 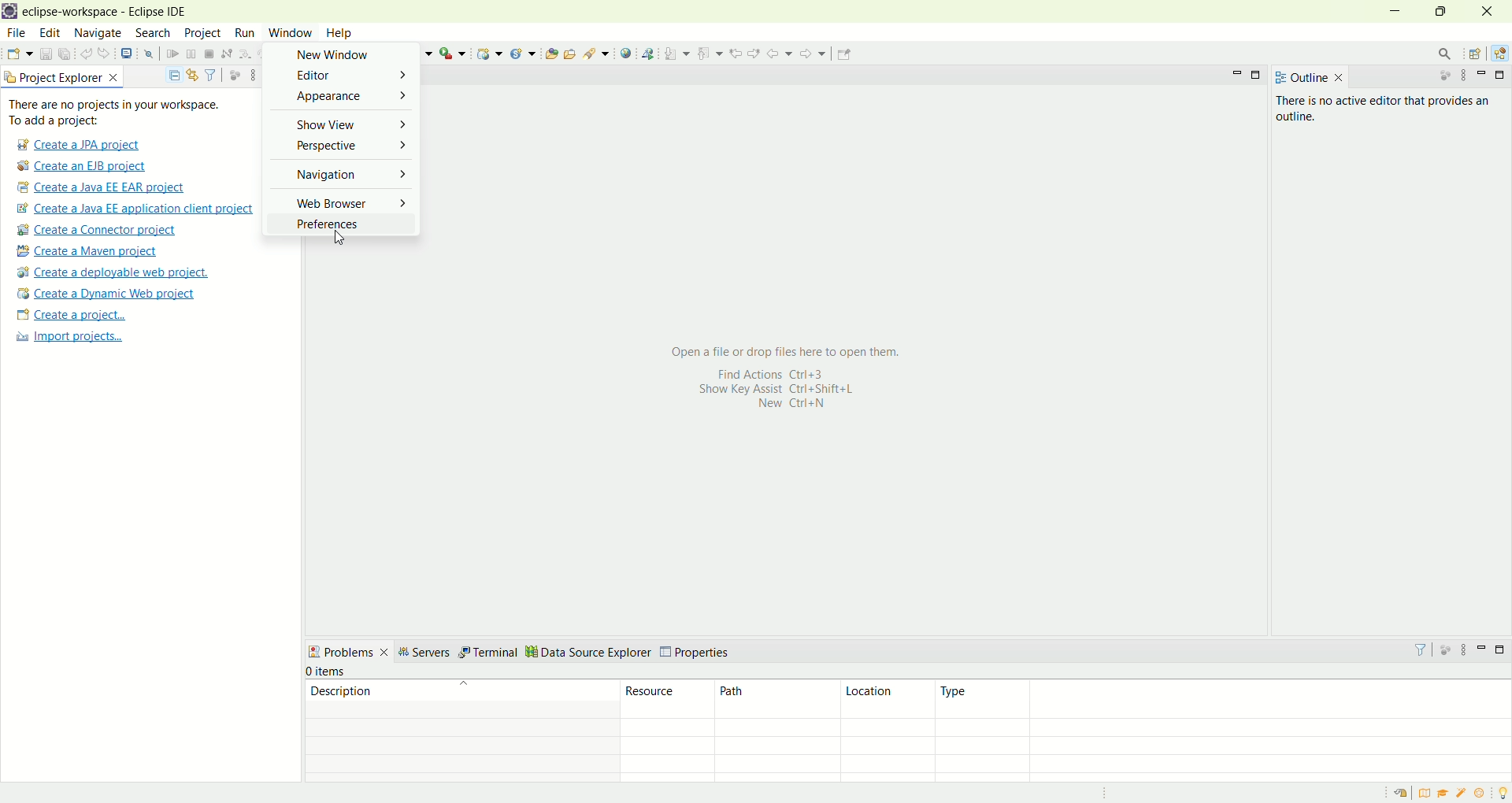 What do you see at coordinates (105, 294) in the screenshot?
I see `create a dynamic web project` at bounding box center [105, 294].